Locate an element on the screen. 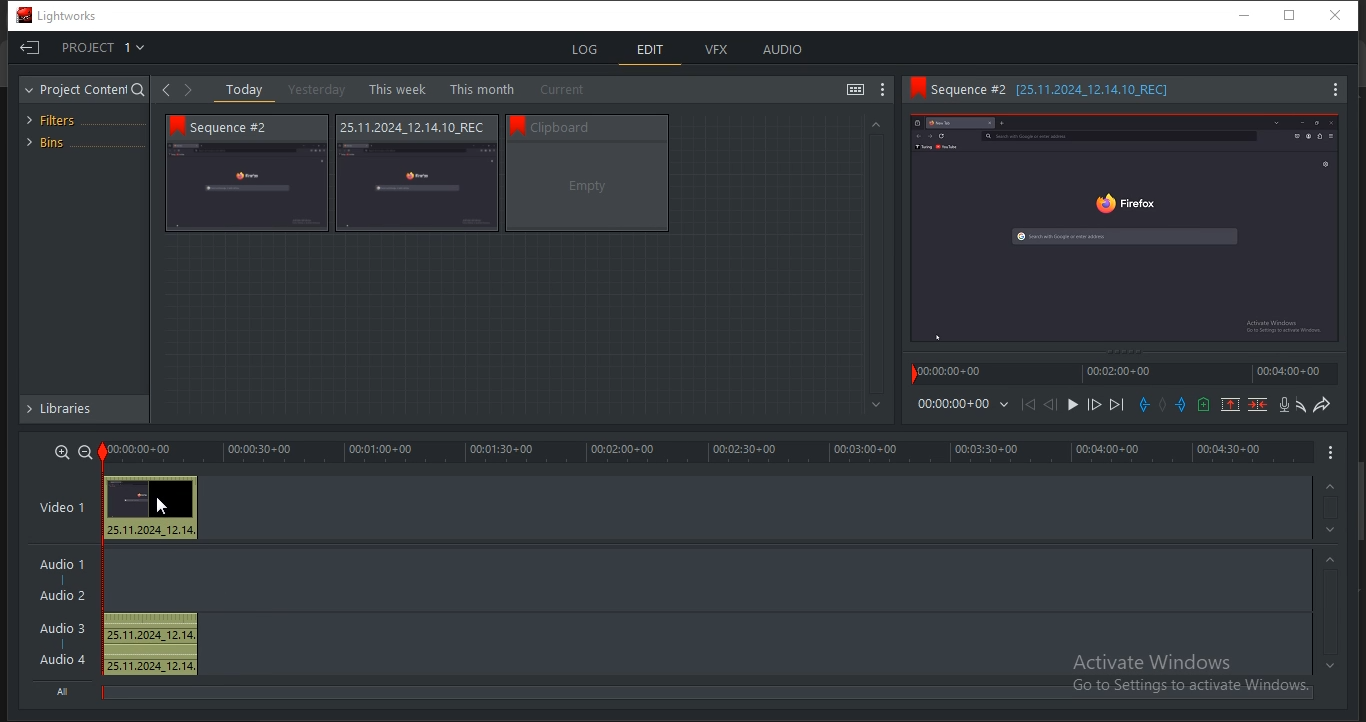 This screenshot has width=1366, height=722. delete marked section is located at coordinates (1258, 405).